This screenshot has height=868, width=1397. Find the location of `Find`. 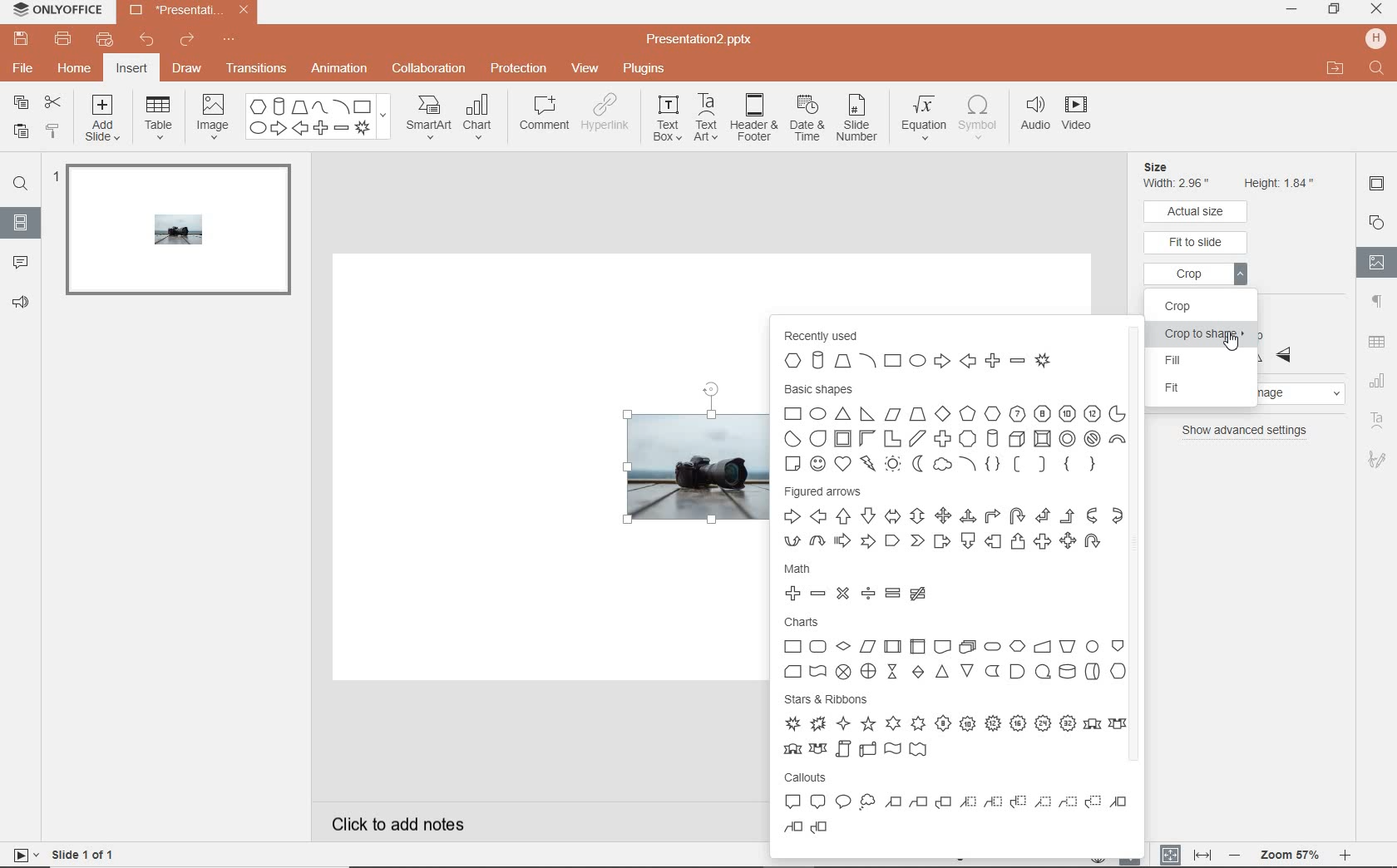

Find is located at coordinates (1375, 68).